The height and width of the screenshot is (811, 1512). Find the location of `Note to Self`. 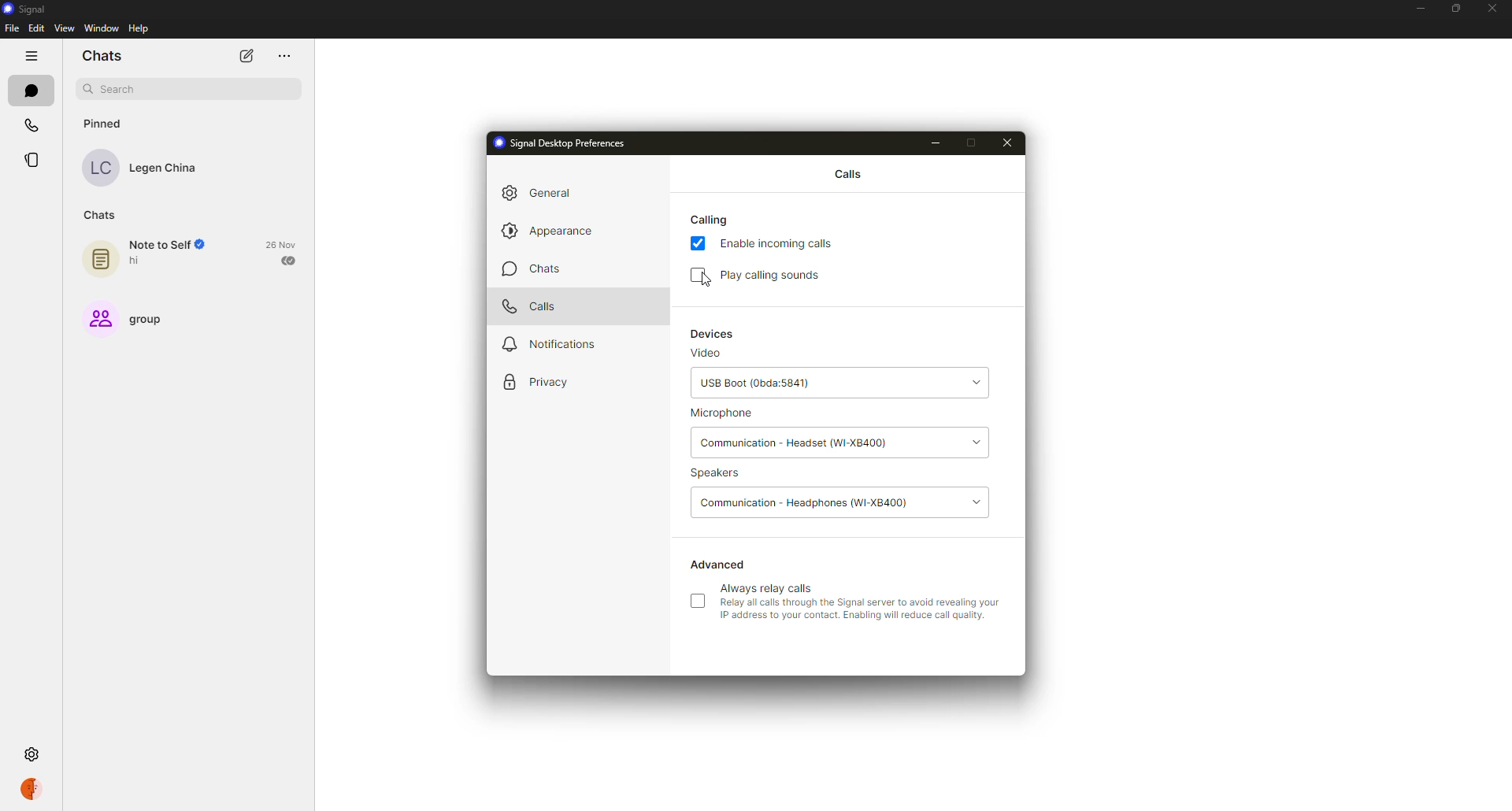

Note to Self is located at coordinates (158, 245).